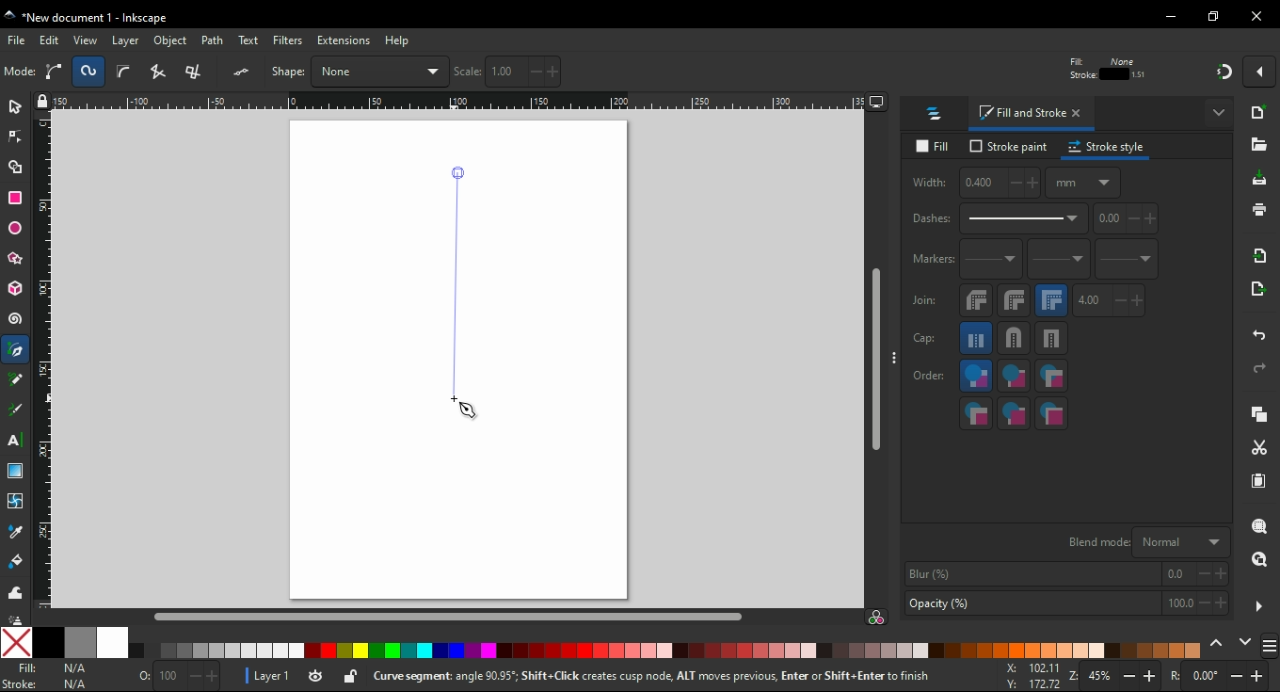  Describe the element at coordinates (1009, 146) in the screenshot. I see `stroke paint` at that location.